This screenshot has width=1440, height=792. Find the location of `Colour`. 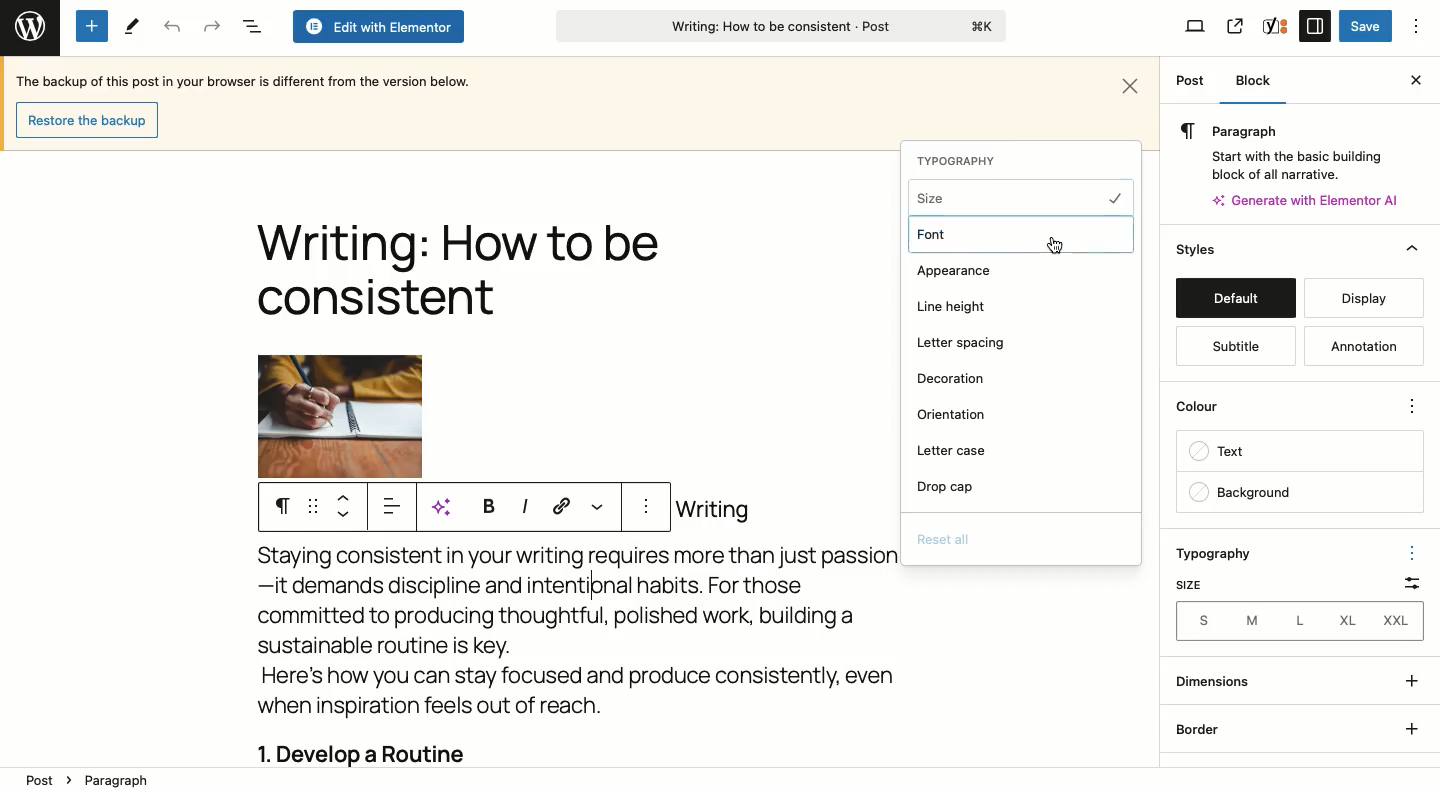

Colour is located at coordinates (1283, 404).